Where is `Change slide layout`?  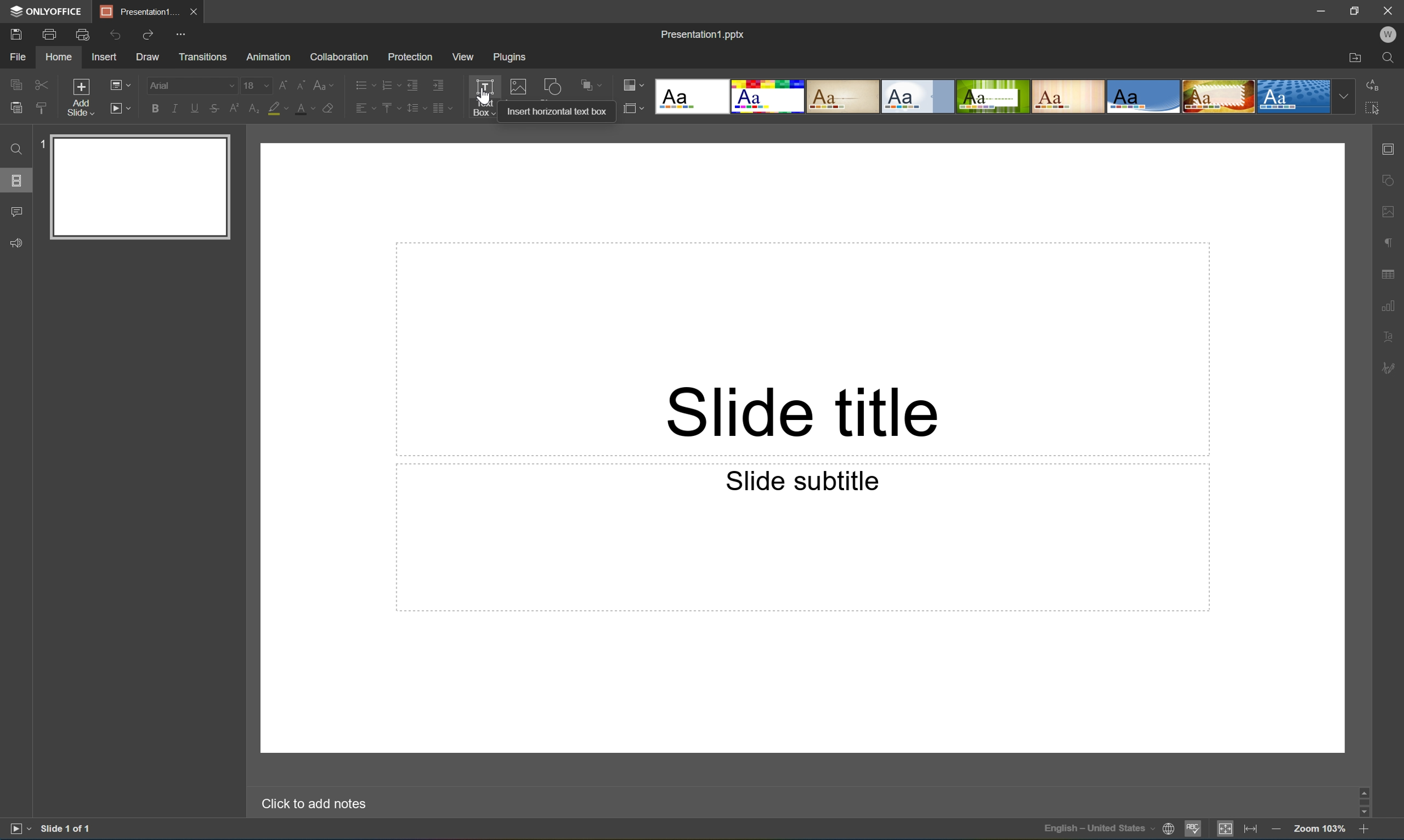 Change slide layout is located at coordinates (118, 83).